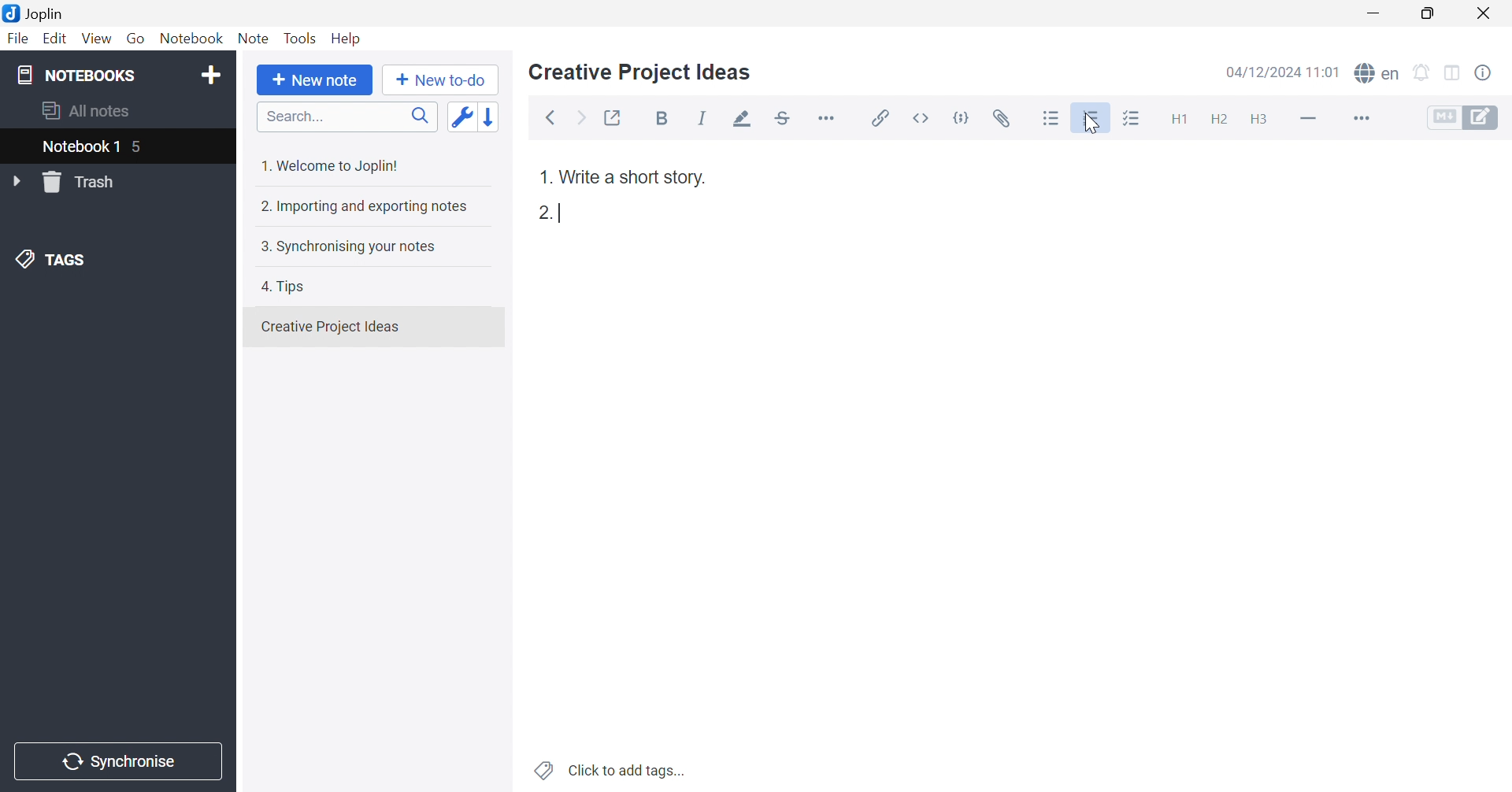 The image size is (1512, 792). I want to click on Heading 3, so click(1259, 122).